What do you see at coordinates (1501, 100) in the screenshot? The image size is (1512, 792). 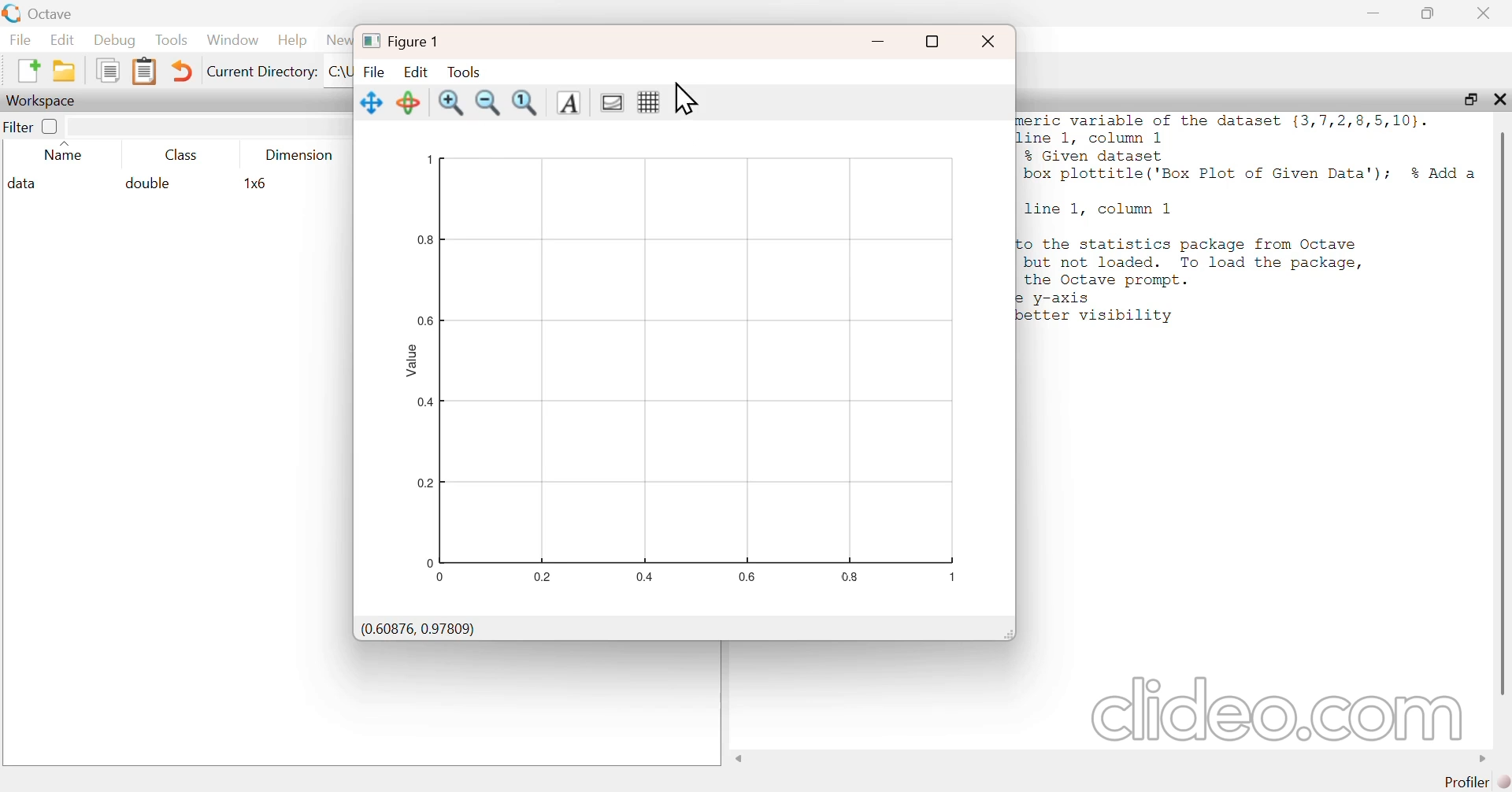 I see `close` at bounding box center [1501, 100].